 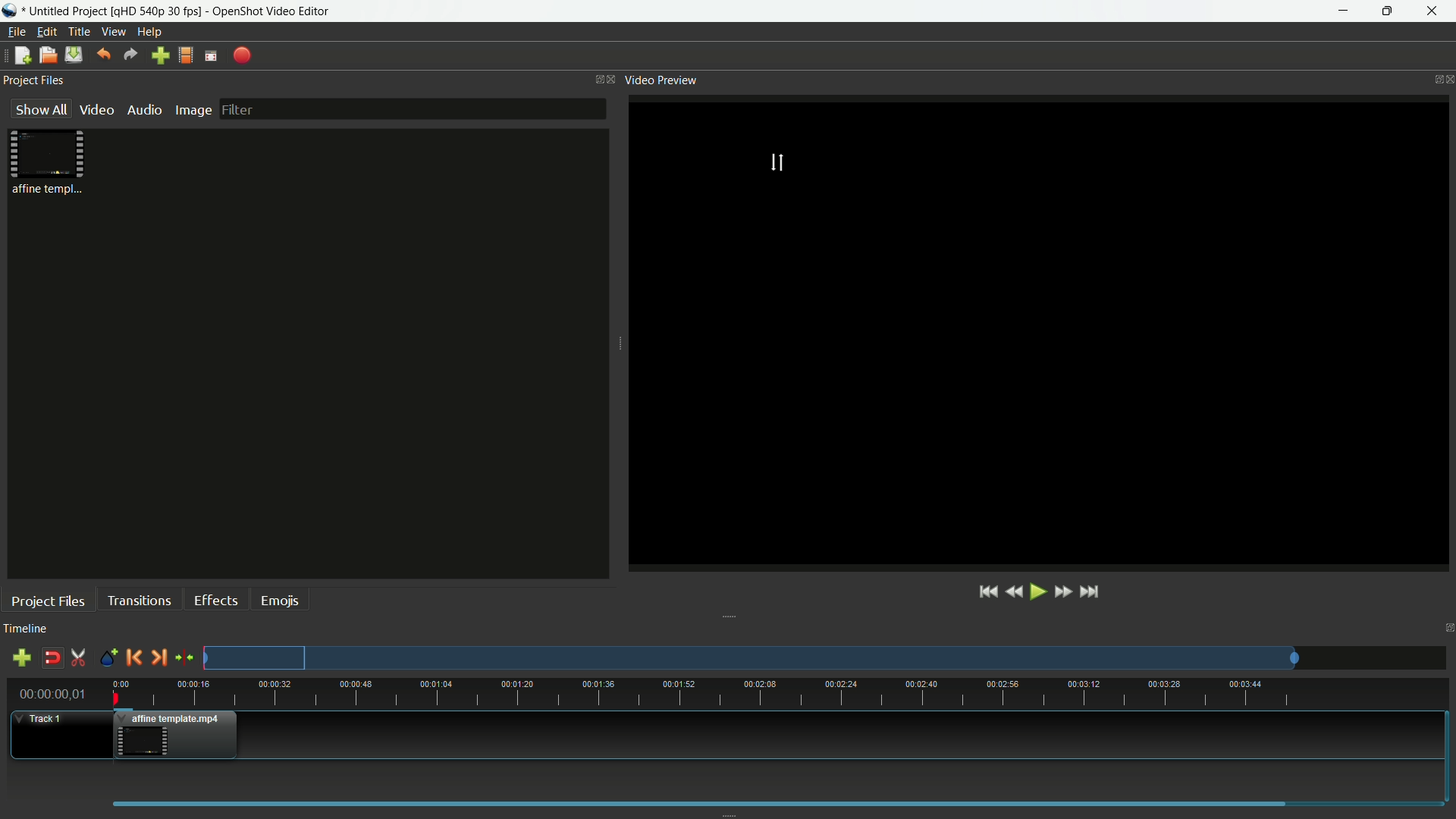 I want to click on center the timeline on the playhead, so click(x=184, y=657).